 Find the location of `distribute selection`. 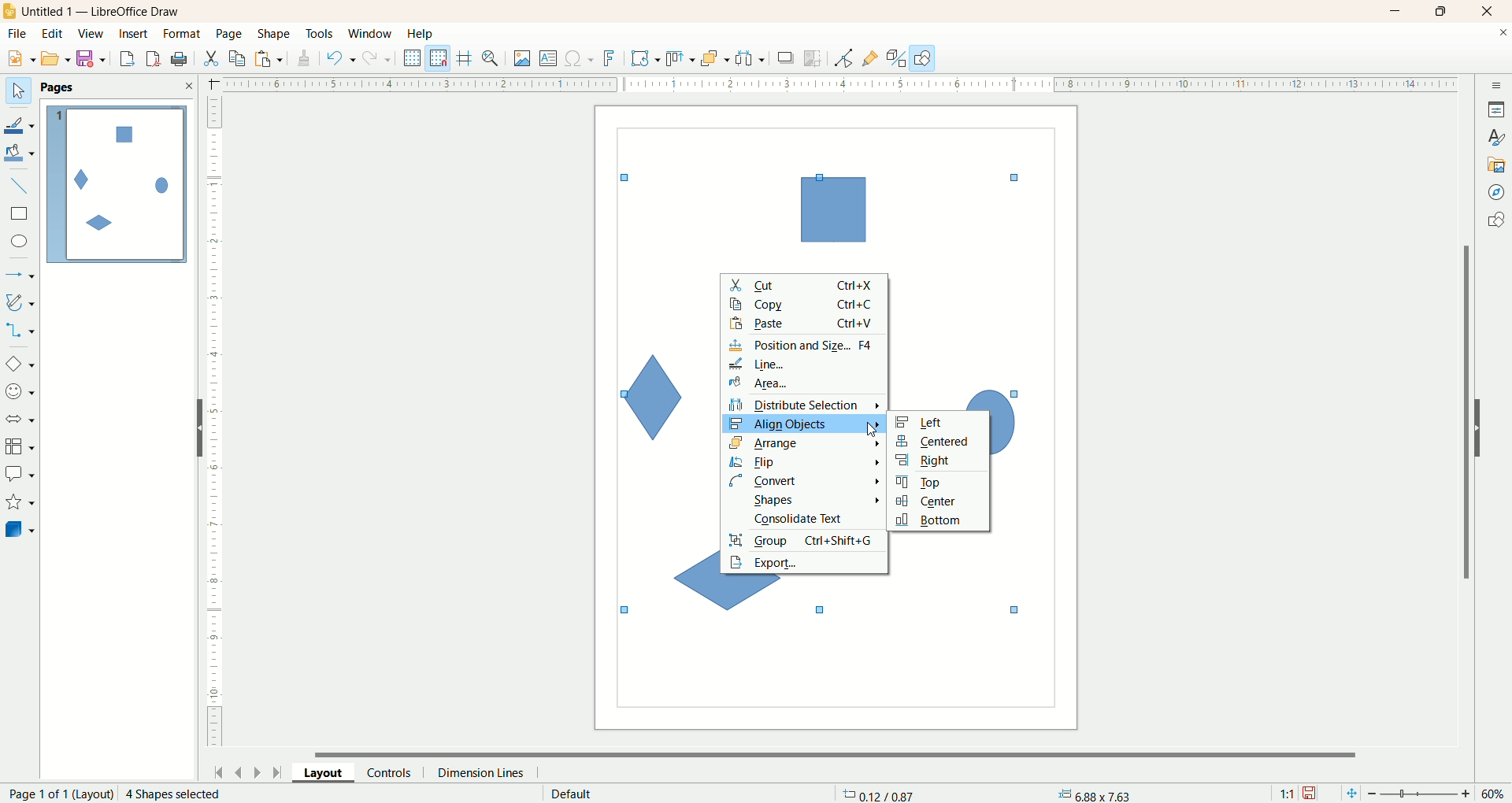

distribute selection is located at coordinates (805, 405).